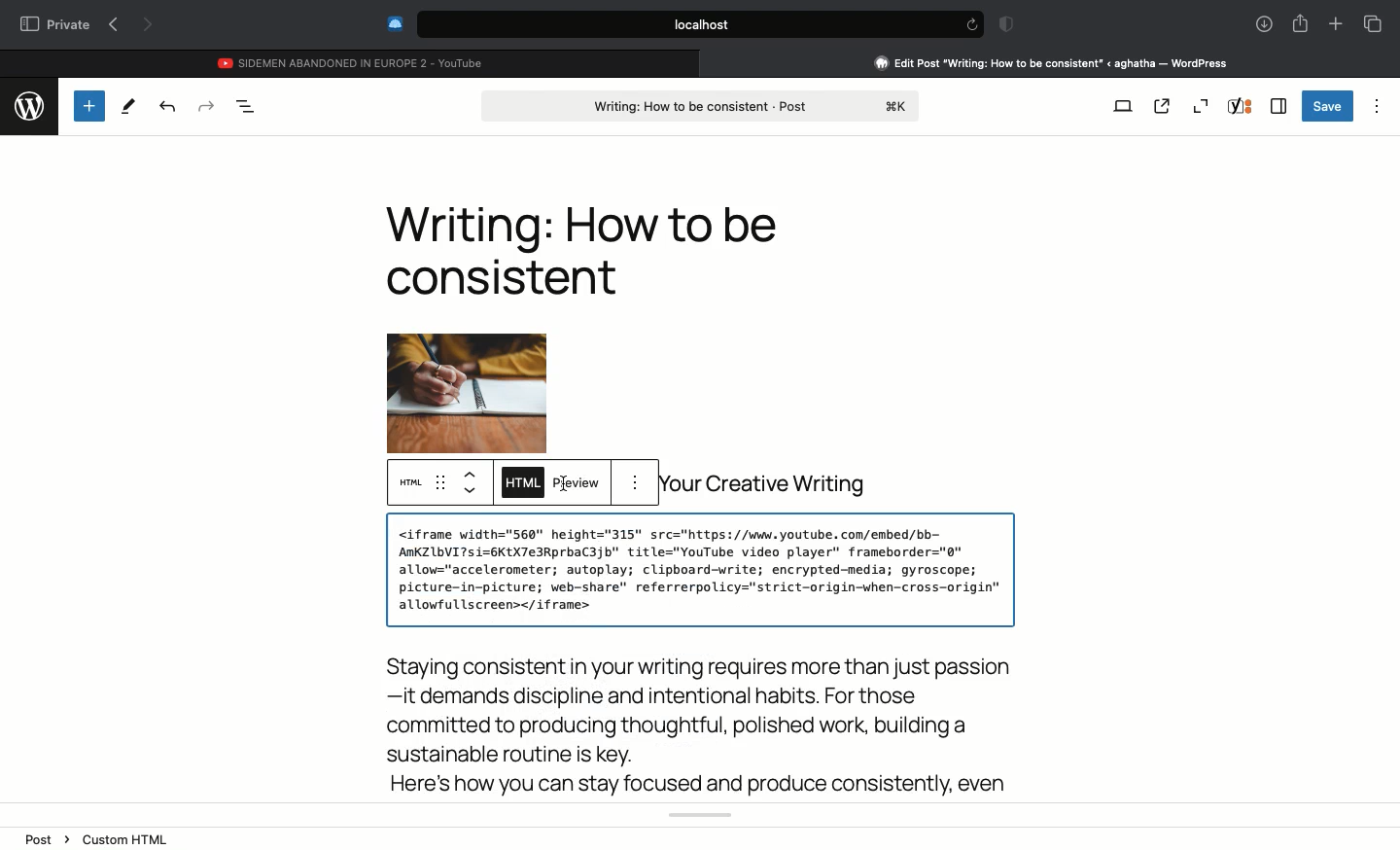 Image resolution: width=1400 pixels, height=850 pixels. Describe the element at coordinates (87, 105) in the screenshot. I see `Add new block` at that location.